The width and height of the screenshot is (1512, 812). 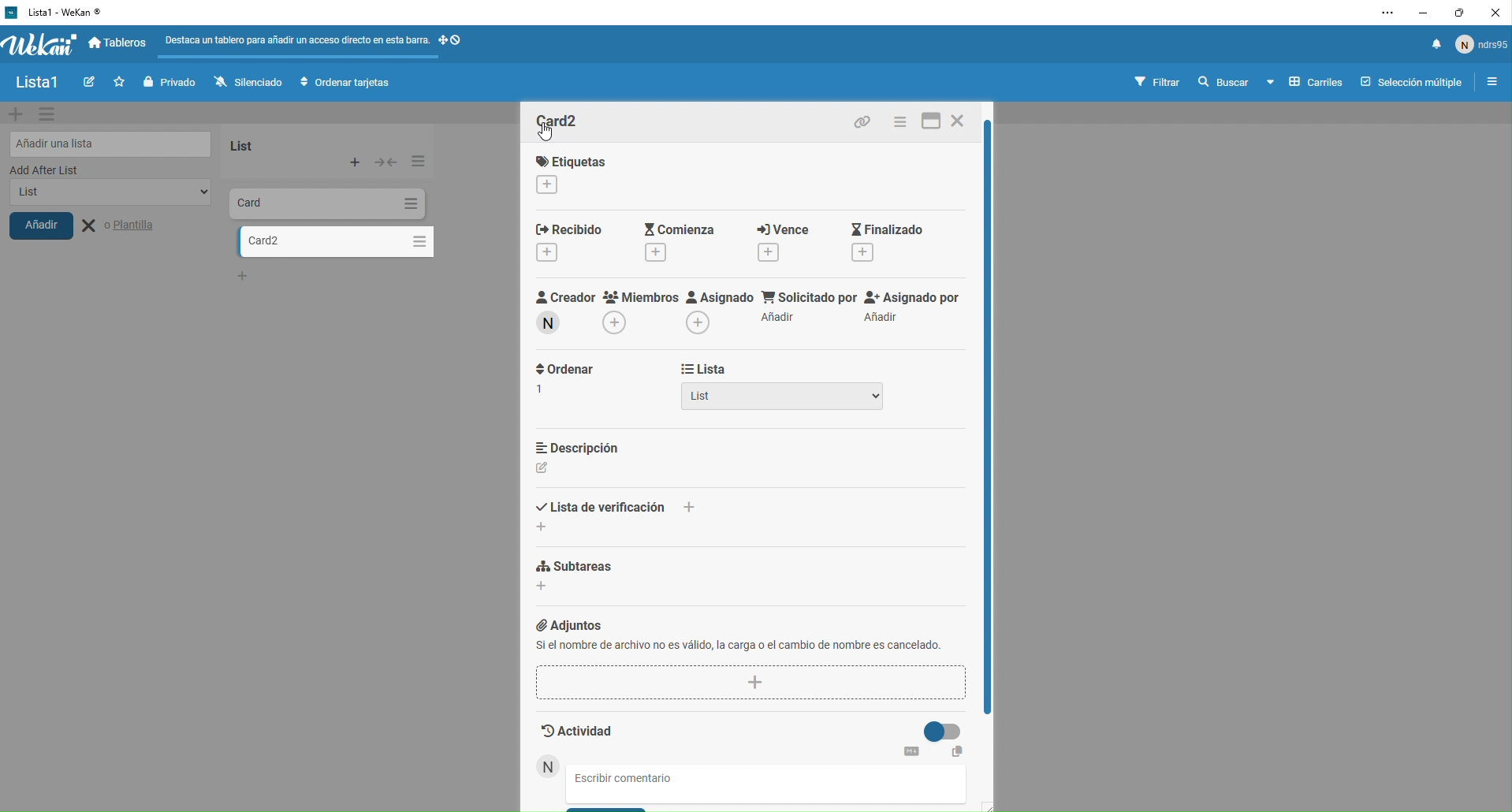 I want to click on filtrar, so click(x=1159, y=81).